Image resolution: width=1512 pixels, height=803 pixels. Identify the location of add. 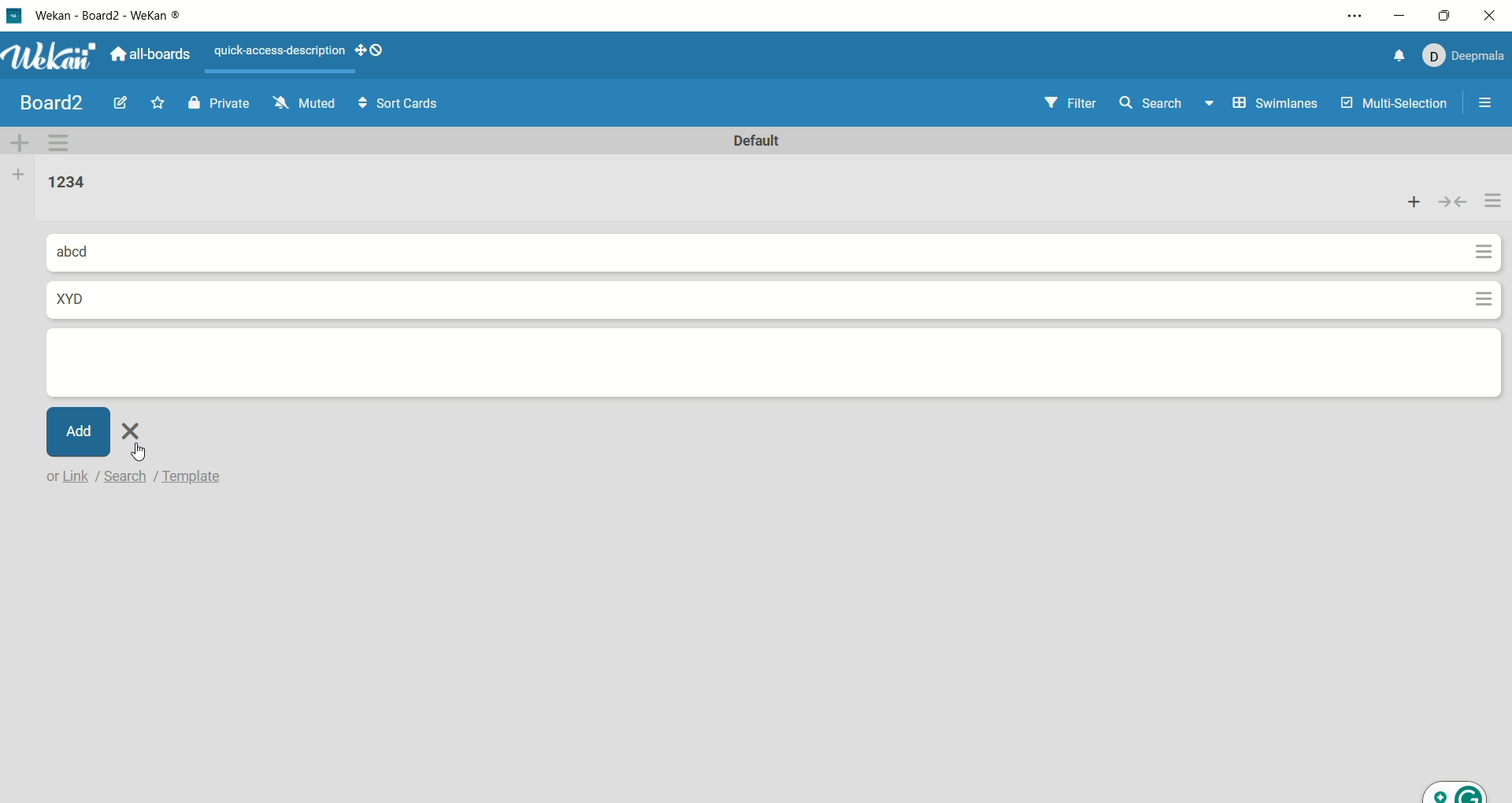
(78, 431).